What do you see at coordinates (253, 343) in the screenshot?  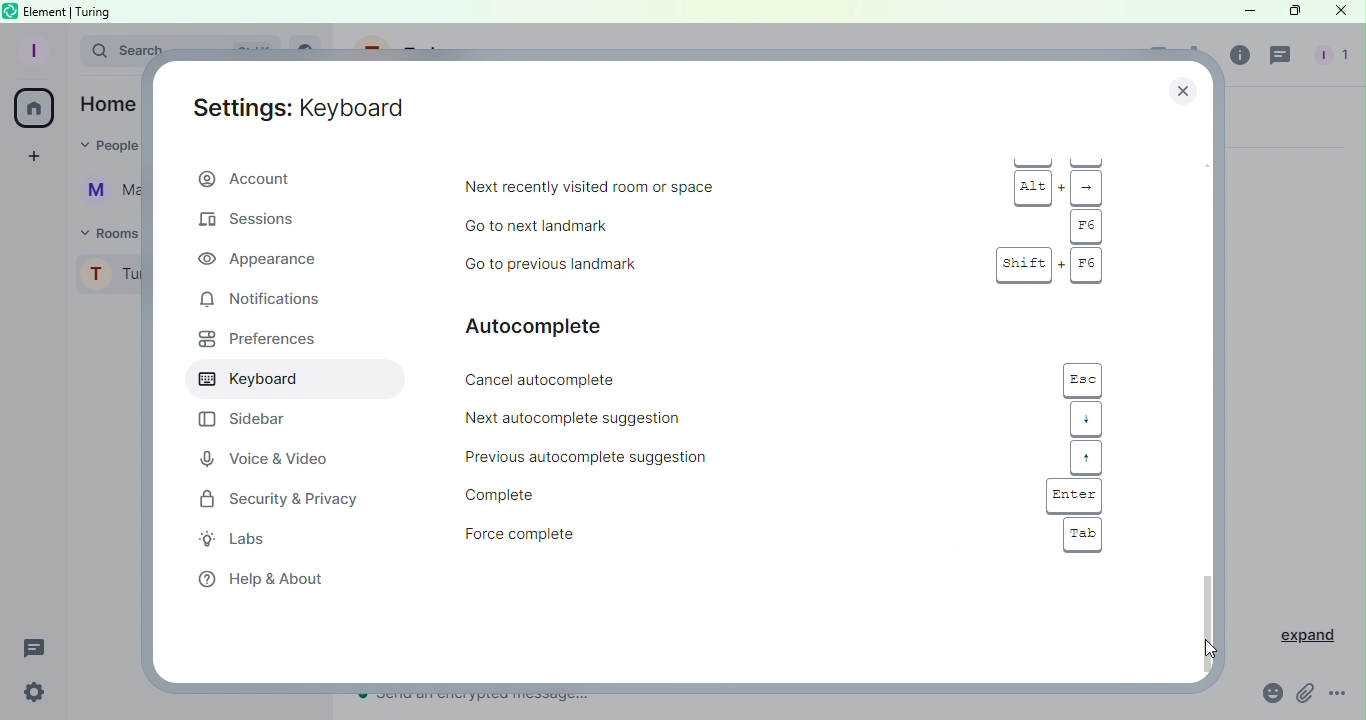 I see `Preferences` at bounding box center [253, 343].